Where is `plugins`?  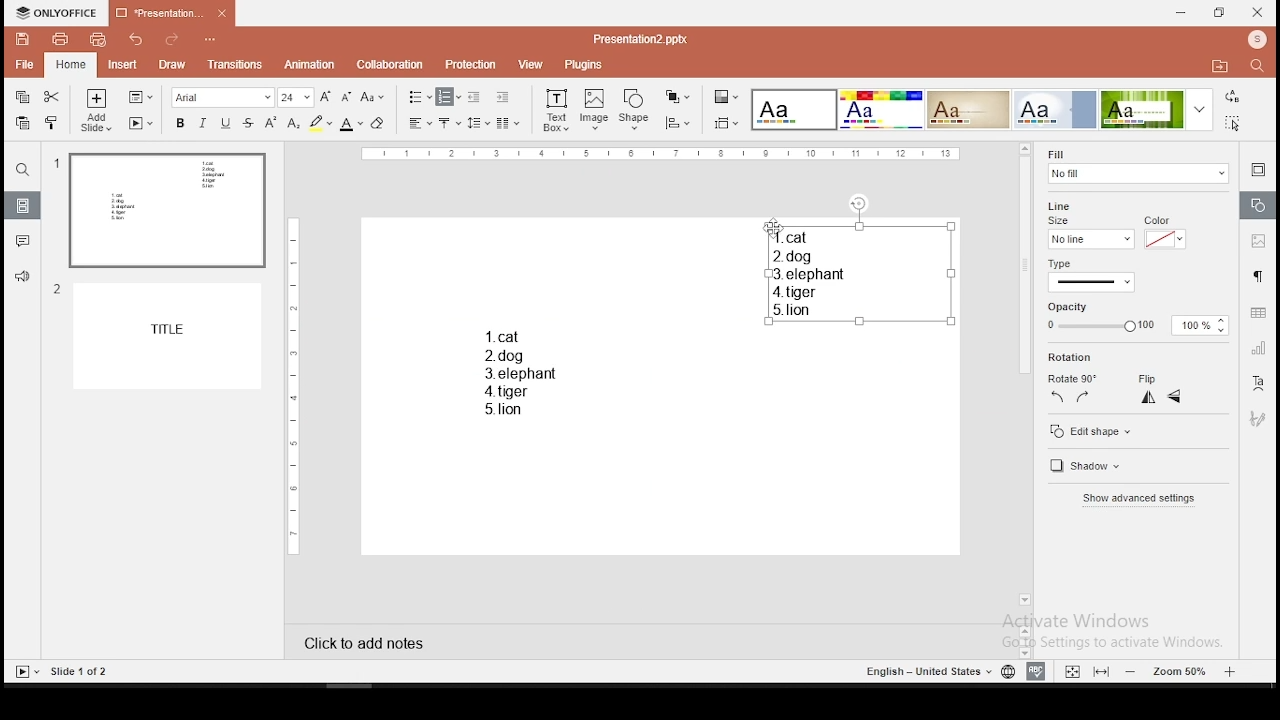 plugins is located at coordinates (585, 65).